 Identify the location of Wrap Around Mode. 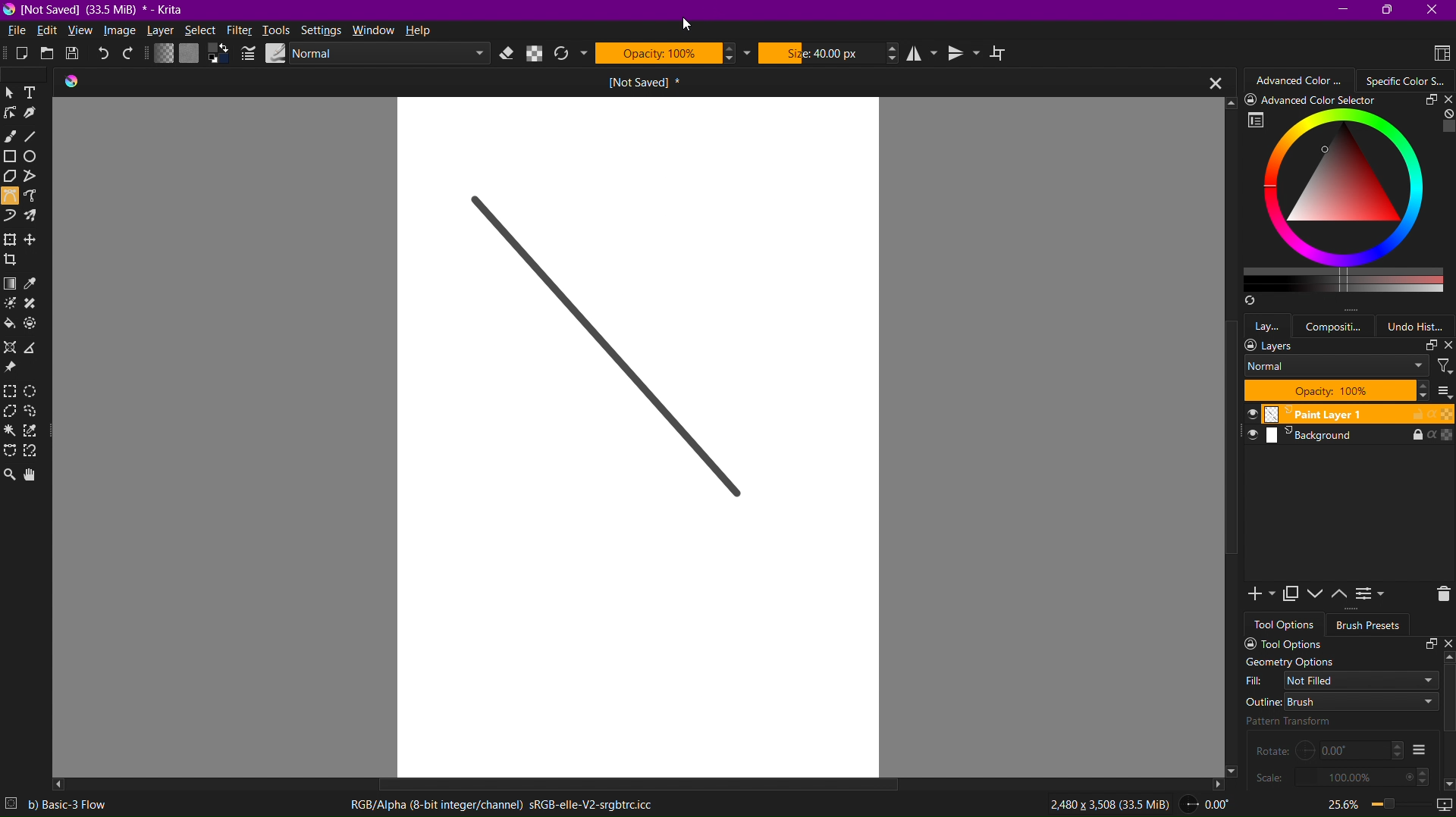
(1004, 55).